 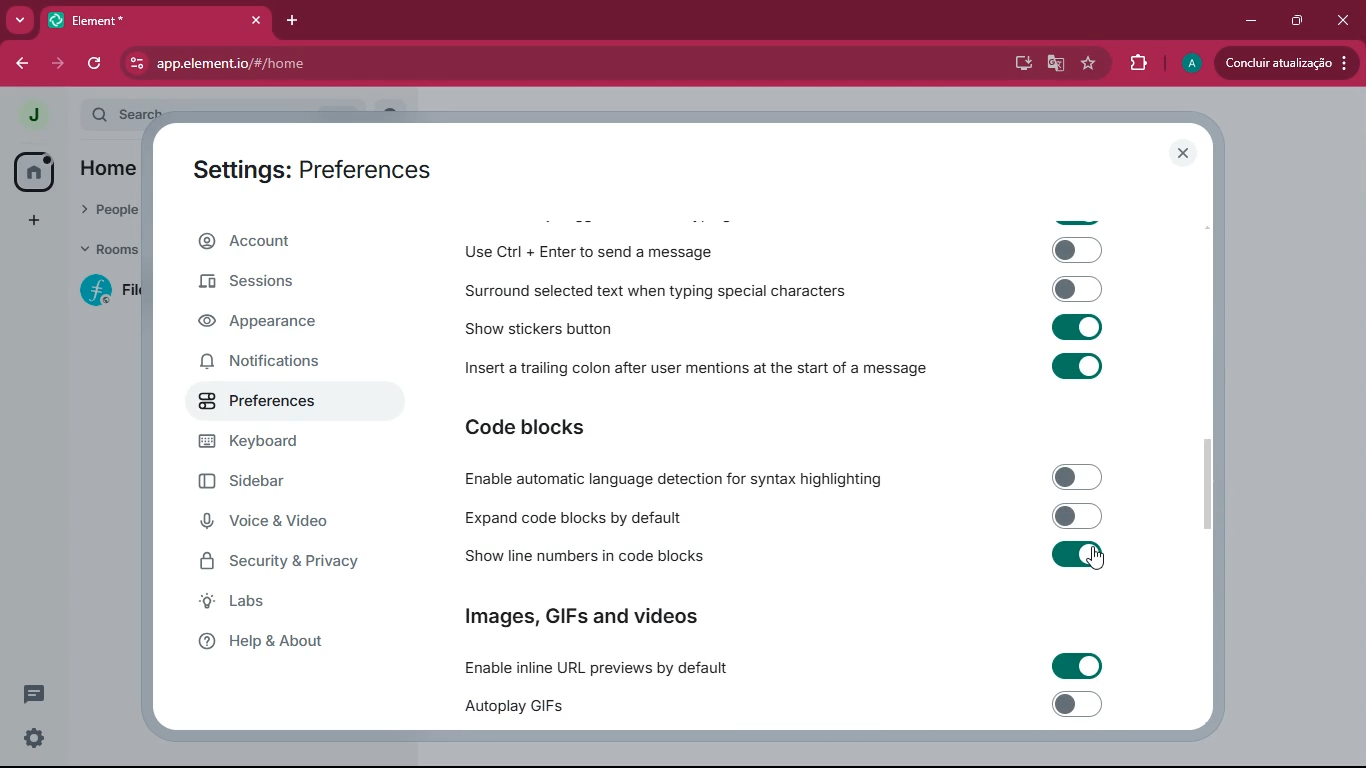 I want to click on element, so click(x=155, y=20).